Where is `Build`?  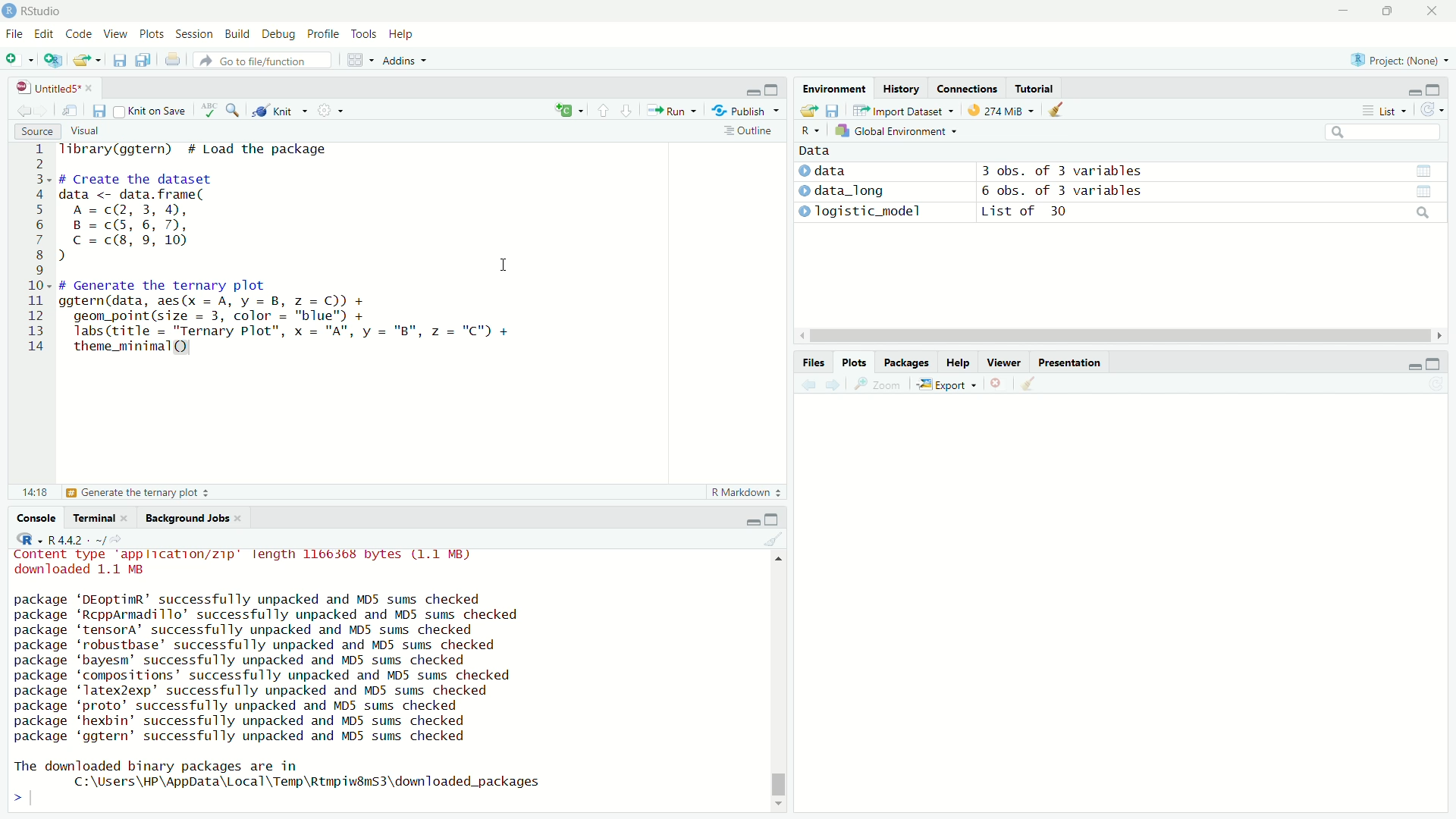 Build is located at coordinates (234, 33).